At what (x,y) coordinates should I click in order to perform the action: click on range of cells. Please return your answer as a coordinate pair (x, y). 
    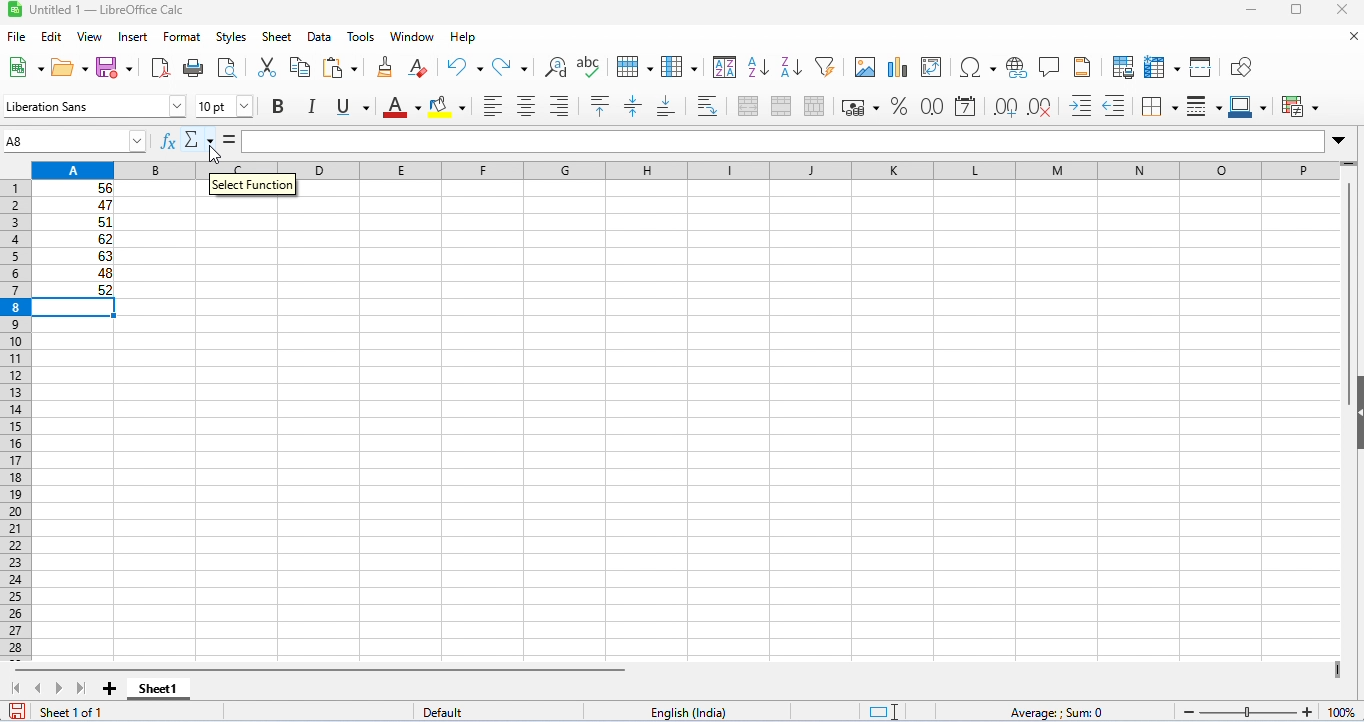
    Looking at the image, I should click on (74, 239).